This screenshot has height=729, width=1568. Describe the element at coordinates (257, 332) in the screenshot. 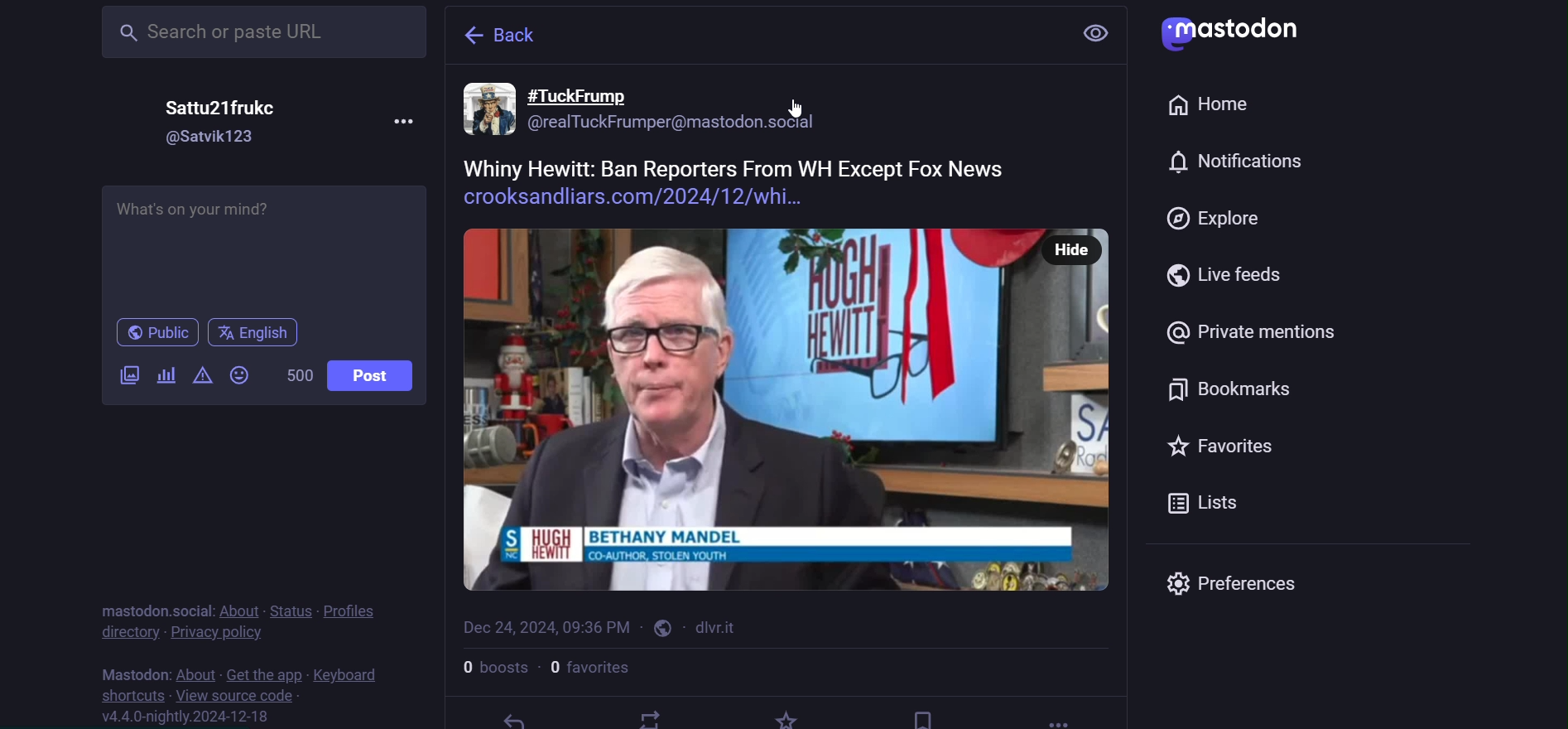

I see `english` at that location.